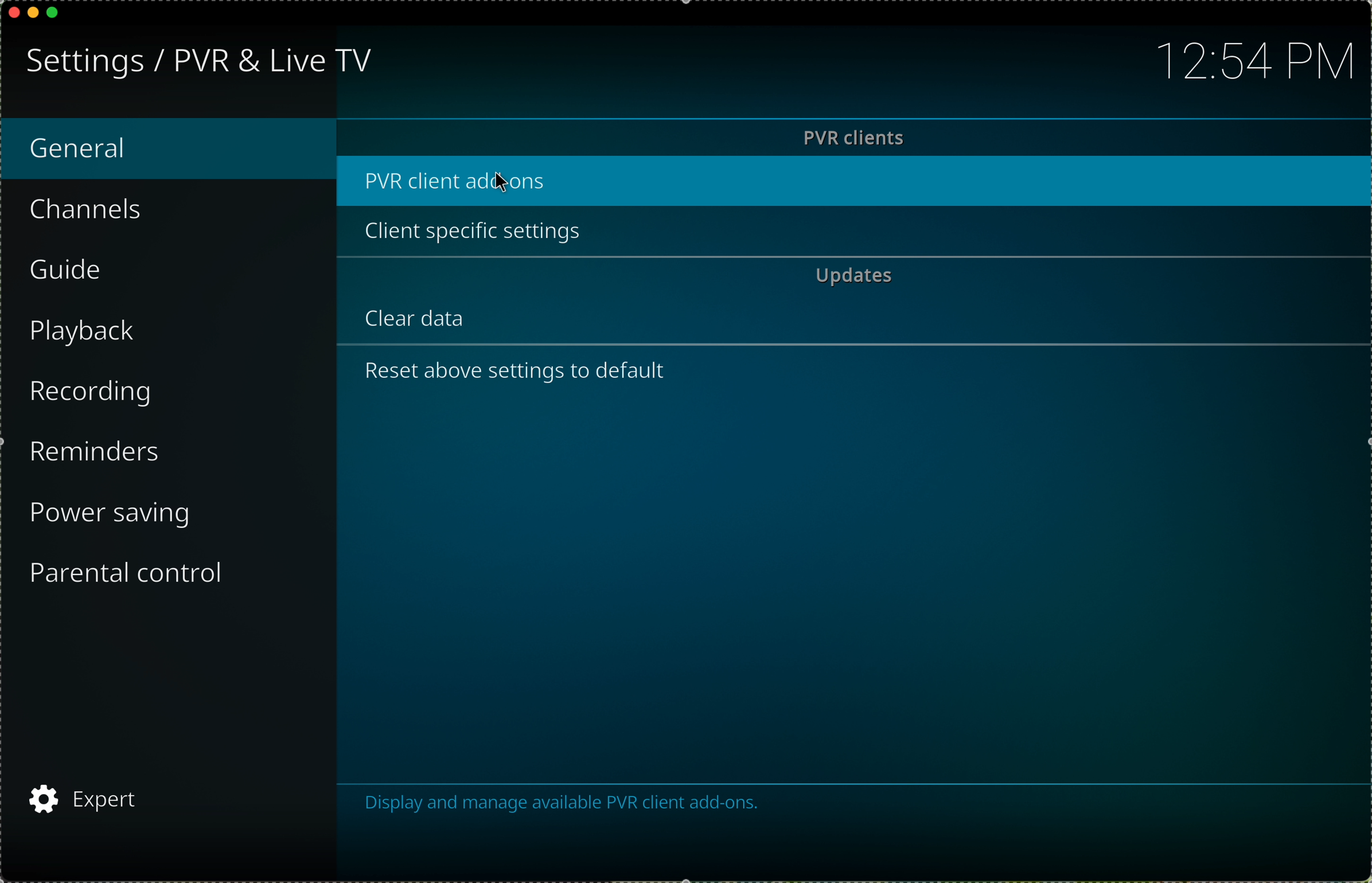 The height and width of the screenshot is (883, 1372). Describe the element at coordinates (416, 322) in the screenshot. I see `clear data` at that location.